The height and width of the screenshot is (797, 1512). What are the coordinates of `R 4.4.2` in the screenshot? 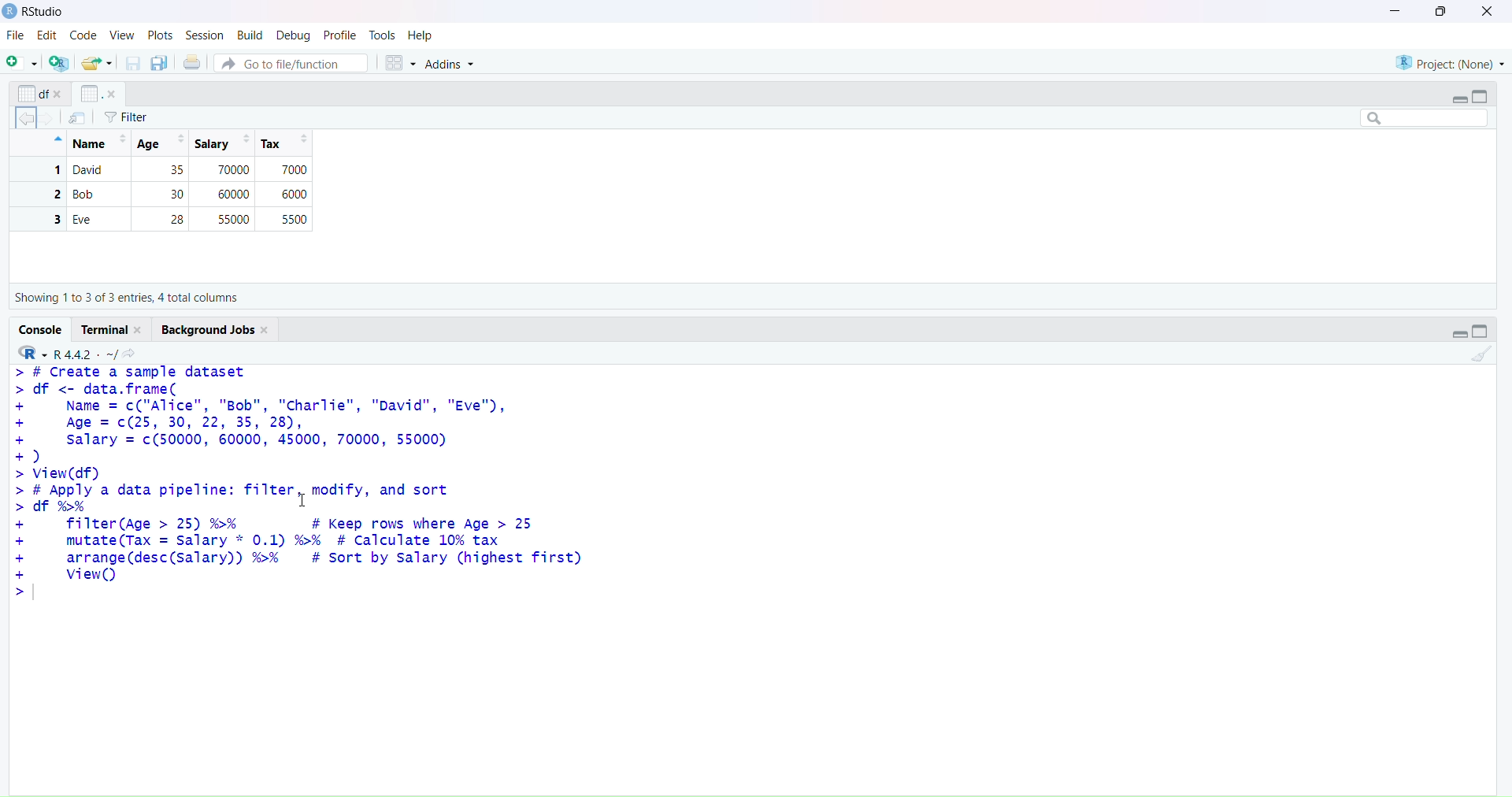 It's located at (64, 353).